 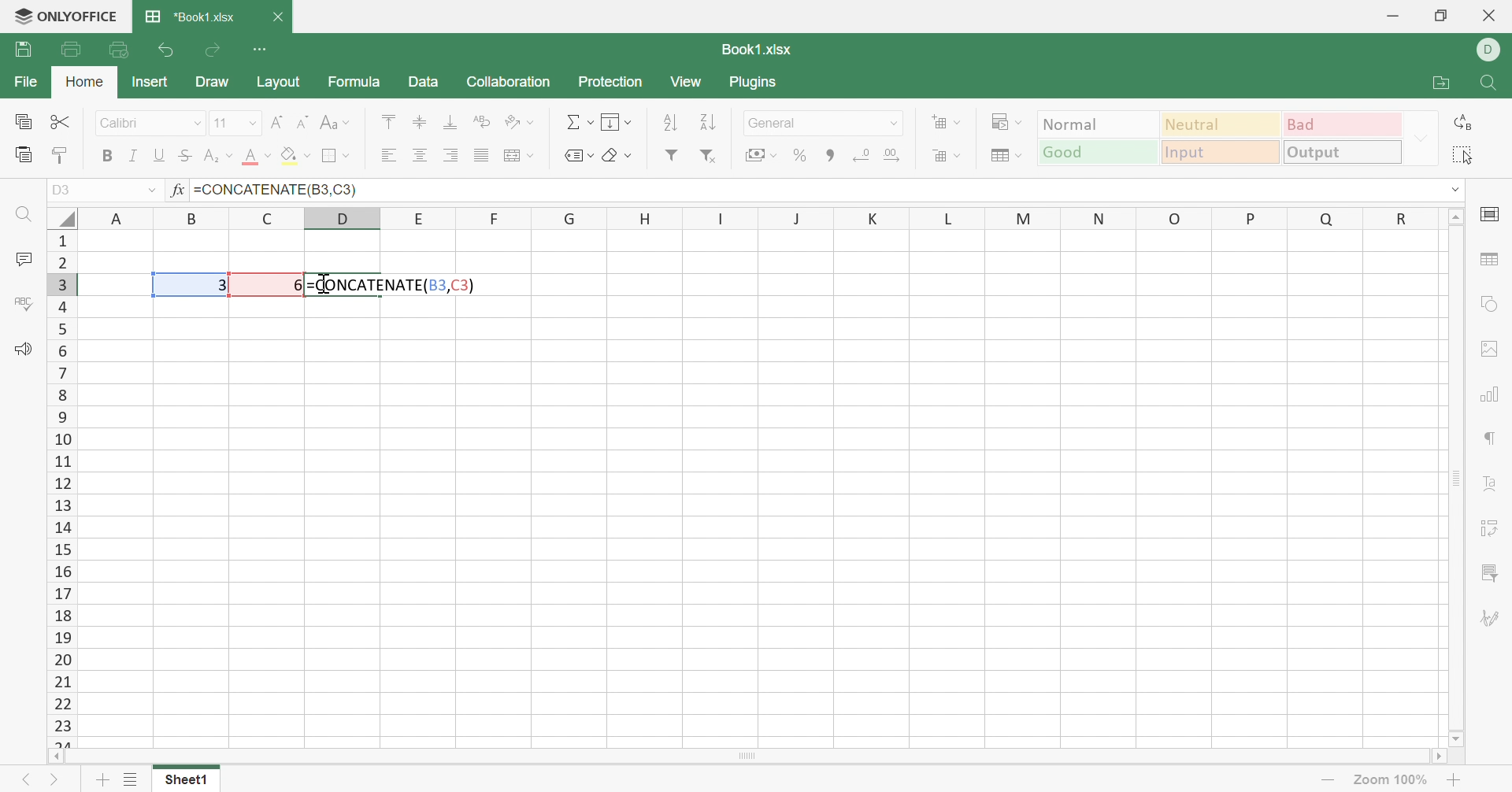 I want to click on Align right, so click(x=450, y=155).